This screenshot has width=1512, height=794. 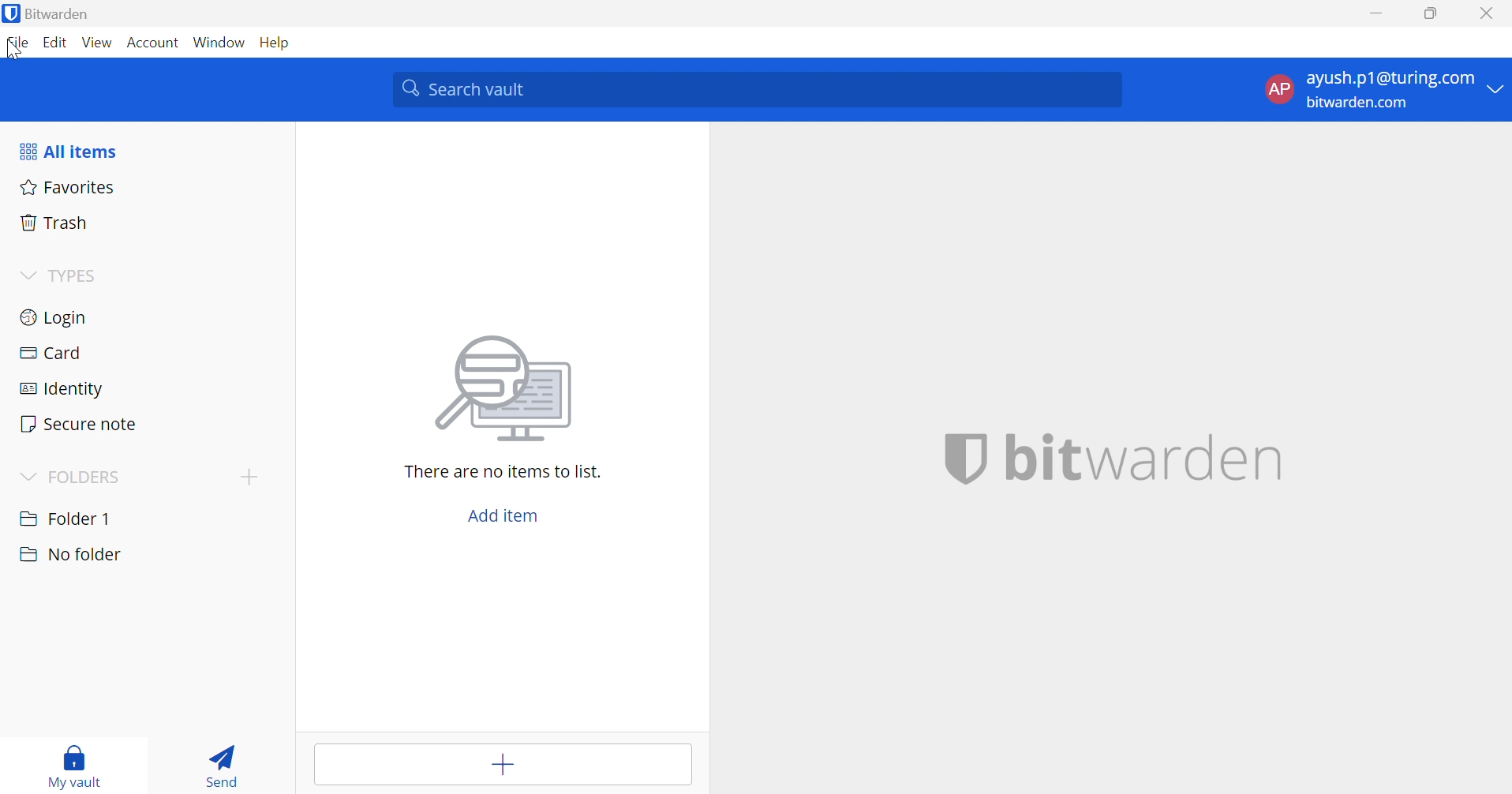 I want to click on TYPES, so click(x=70, y=275).